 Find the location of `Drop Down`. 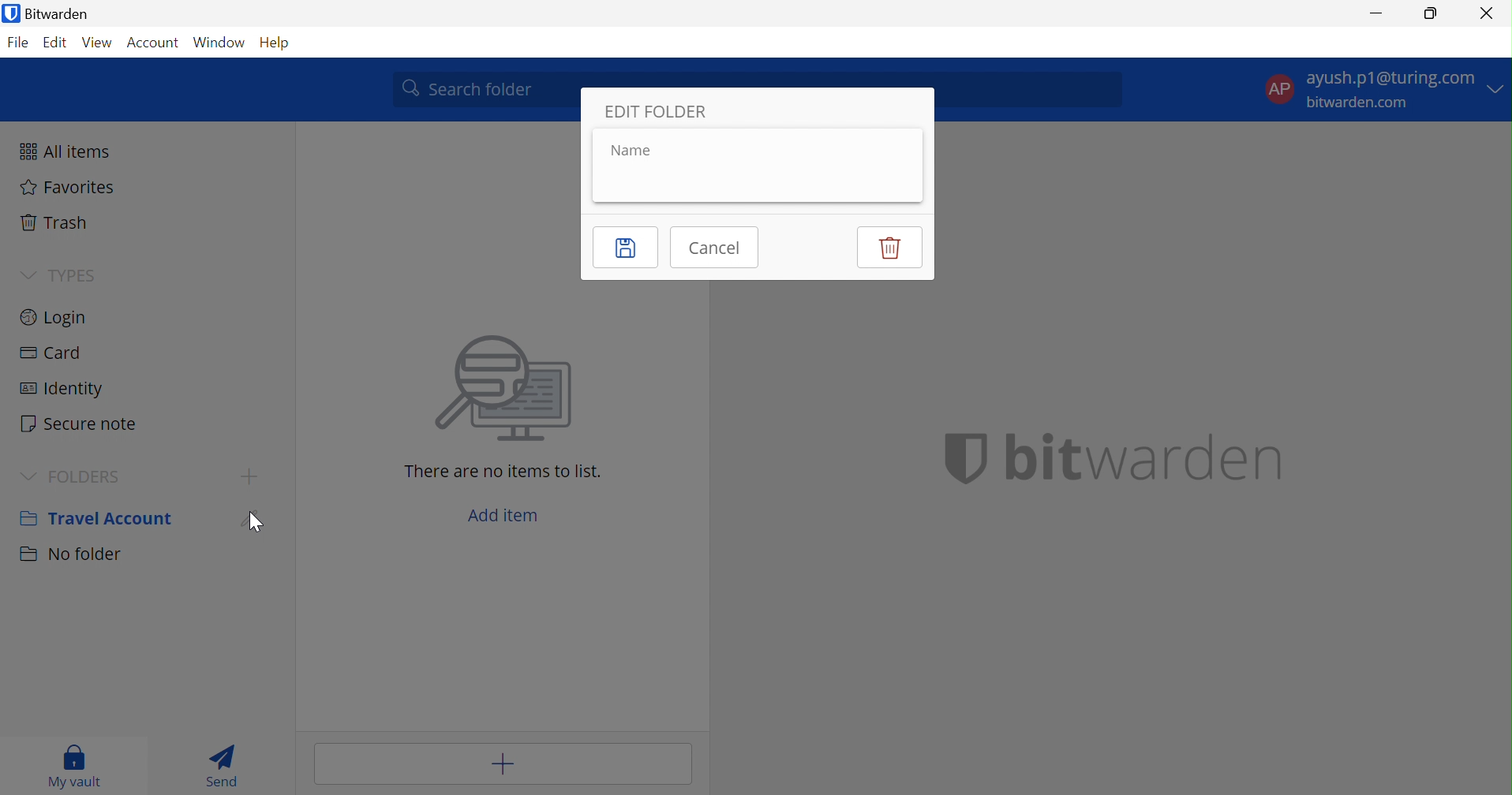

Drop Down is located at coordinates (29, 474).